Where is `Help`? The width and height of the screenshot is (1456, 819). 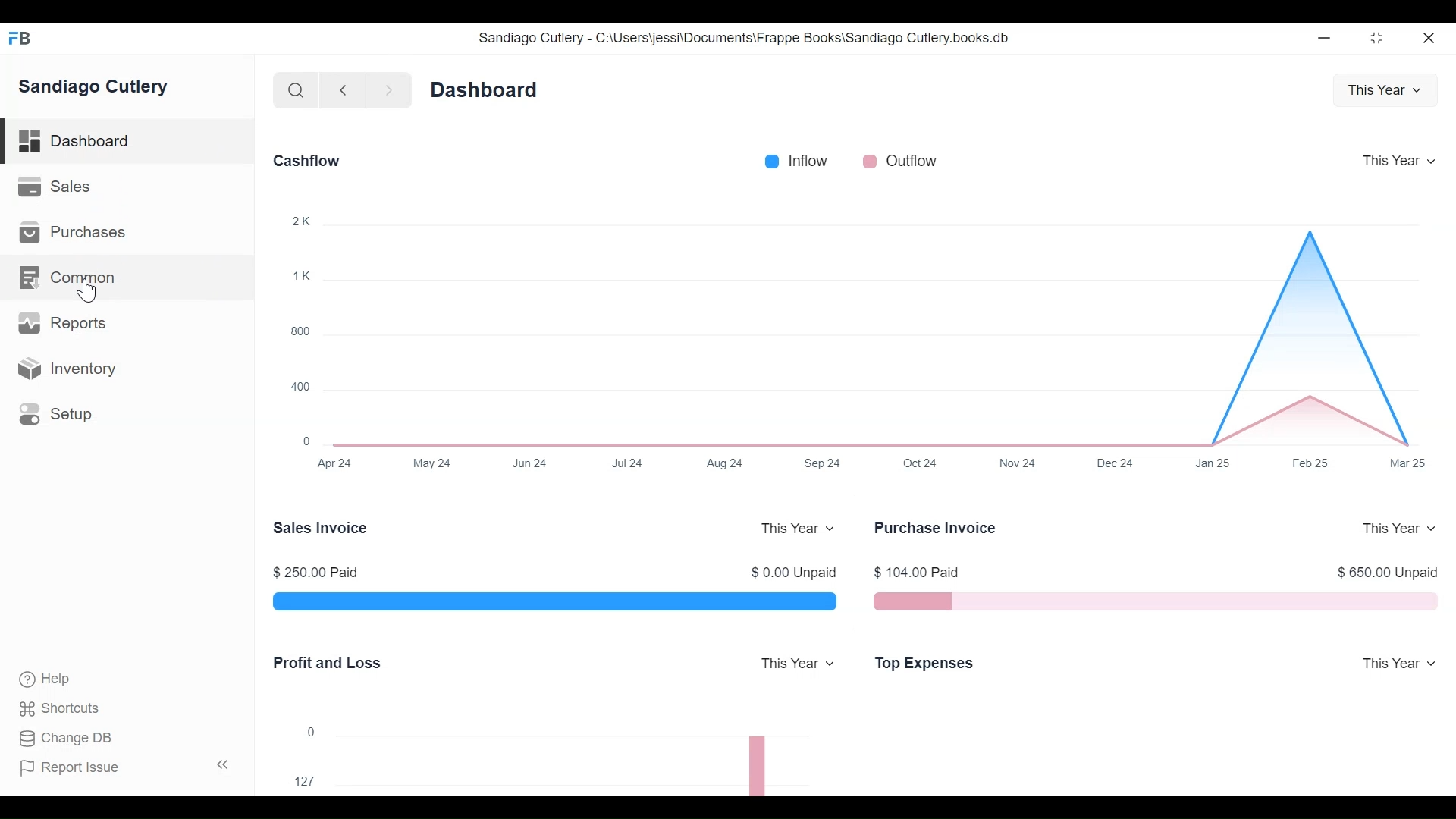 Help is located at coordinates (38, 680).